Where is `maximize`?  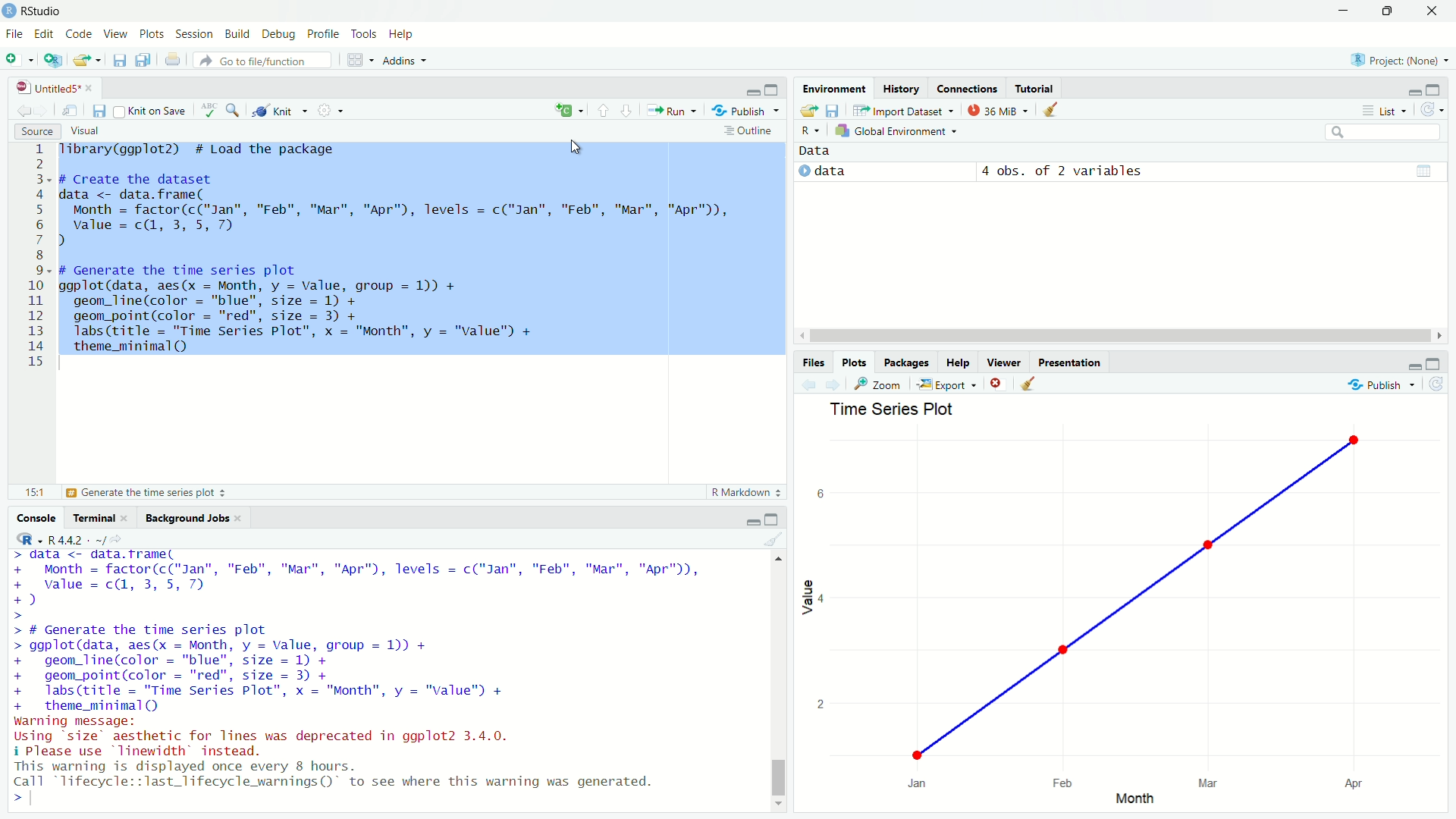
maximize is located at coordinates (773, 519).